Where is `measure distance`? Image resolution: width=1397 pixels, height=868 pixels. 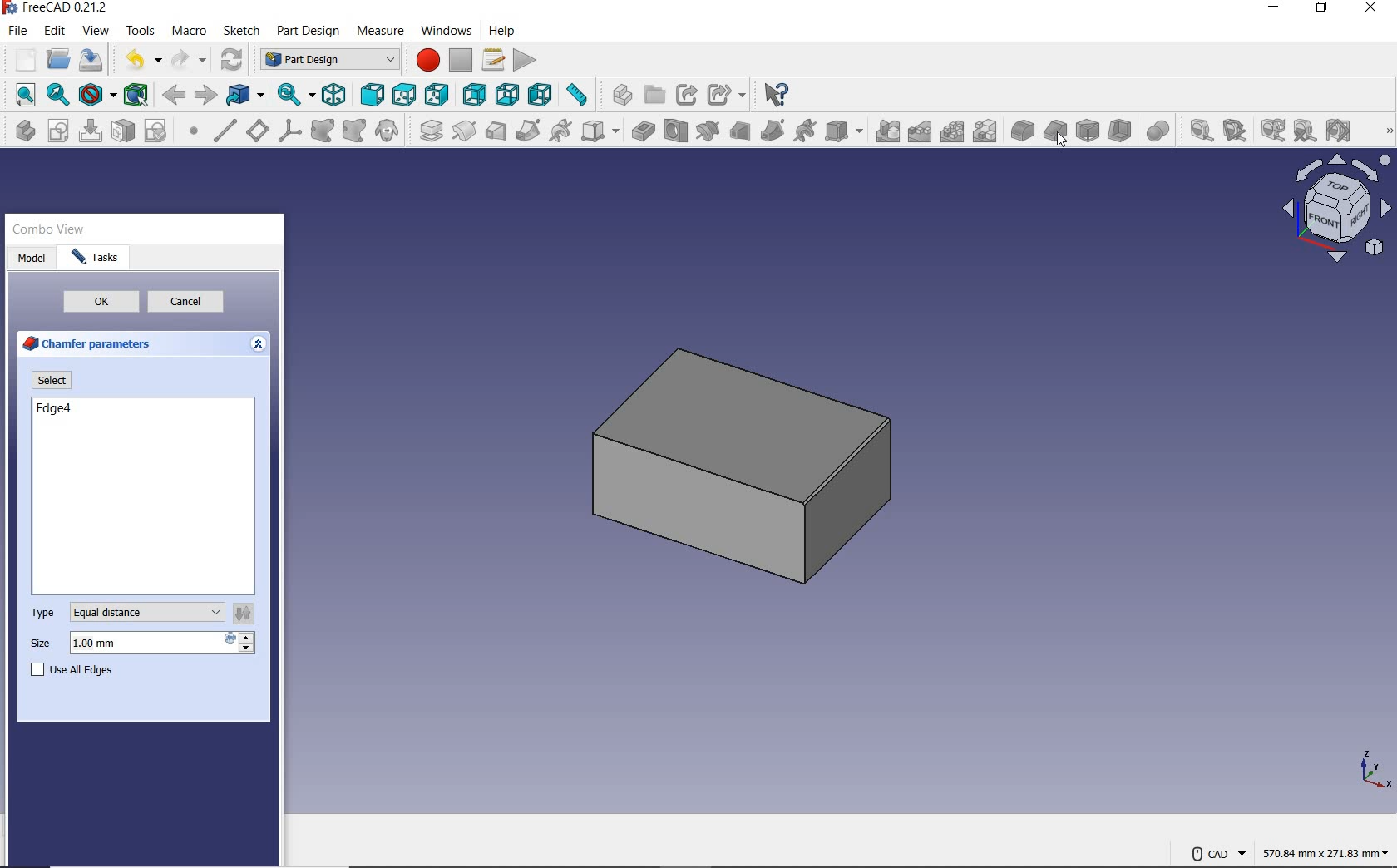
measure distance is located at coordinates (580, 96).